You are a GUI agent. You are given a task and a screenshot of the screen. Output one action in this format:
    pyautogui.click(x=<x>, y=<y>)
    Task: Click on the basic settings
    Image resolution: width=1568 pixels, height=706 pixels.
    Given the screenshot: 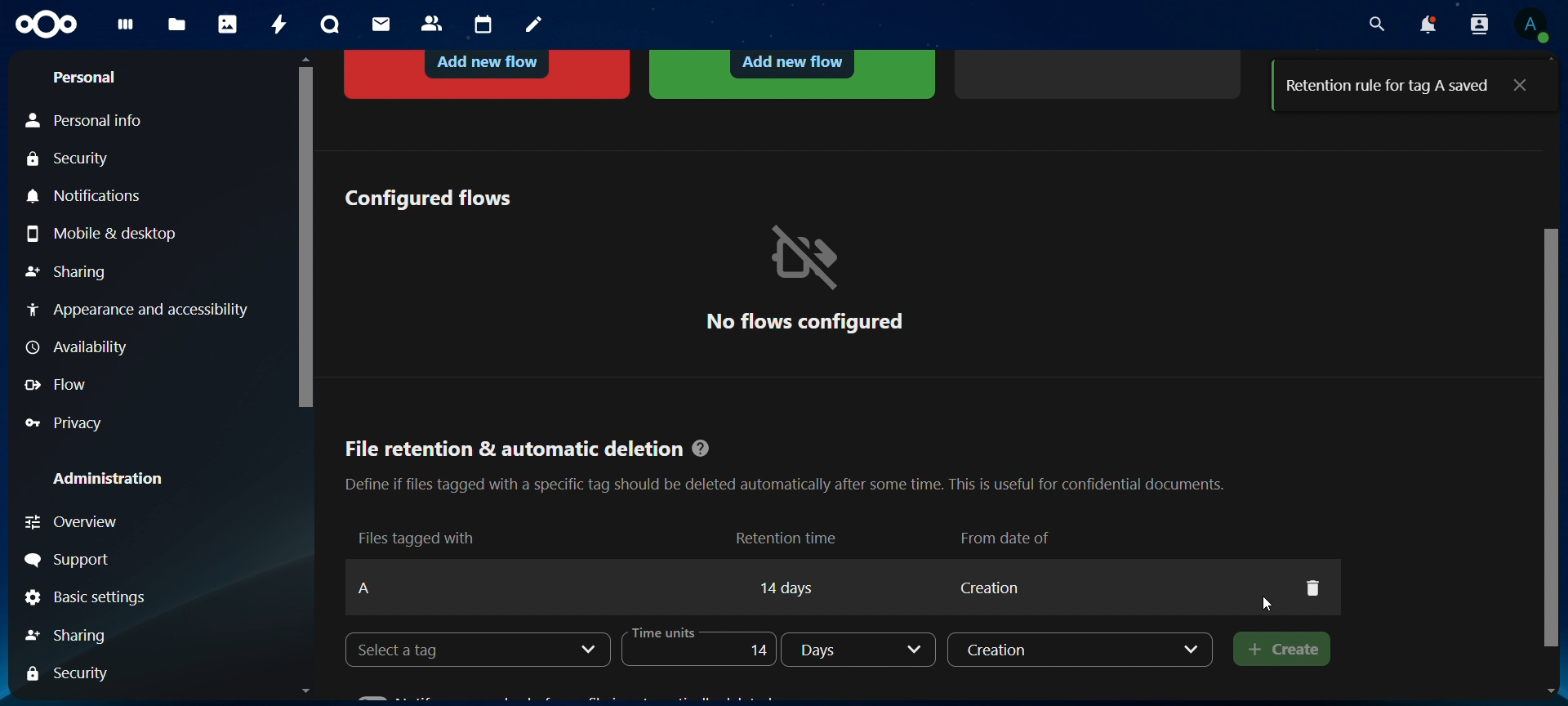 What is the action you would take?
    pyautogui.click(x=87, y=599)
    